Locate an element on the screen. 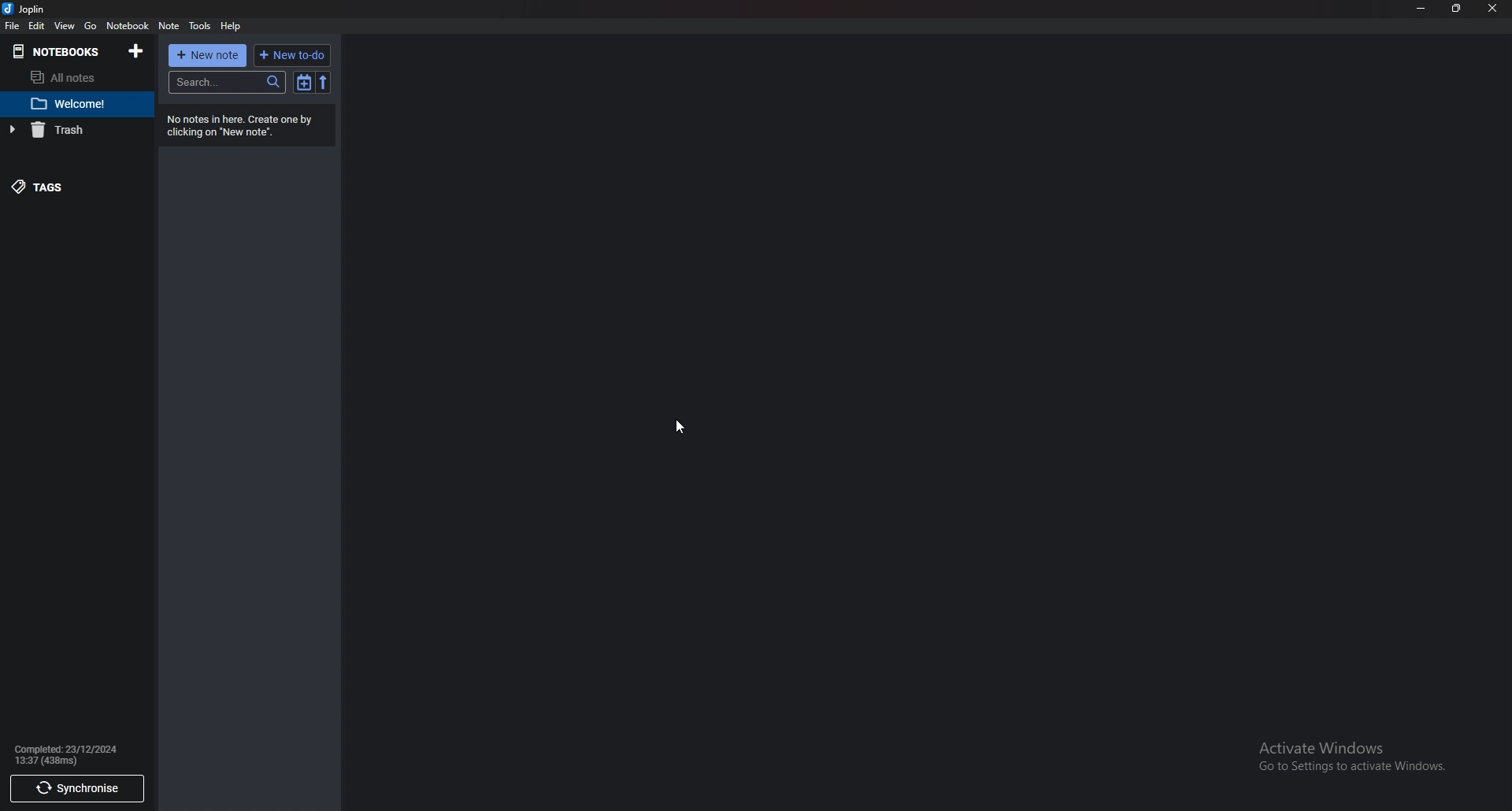 This screenshot has height=811, width=1512. Welcome is located at coordinates (67, 105).